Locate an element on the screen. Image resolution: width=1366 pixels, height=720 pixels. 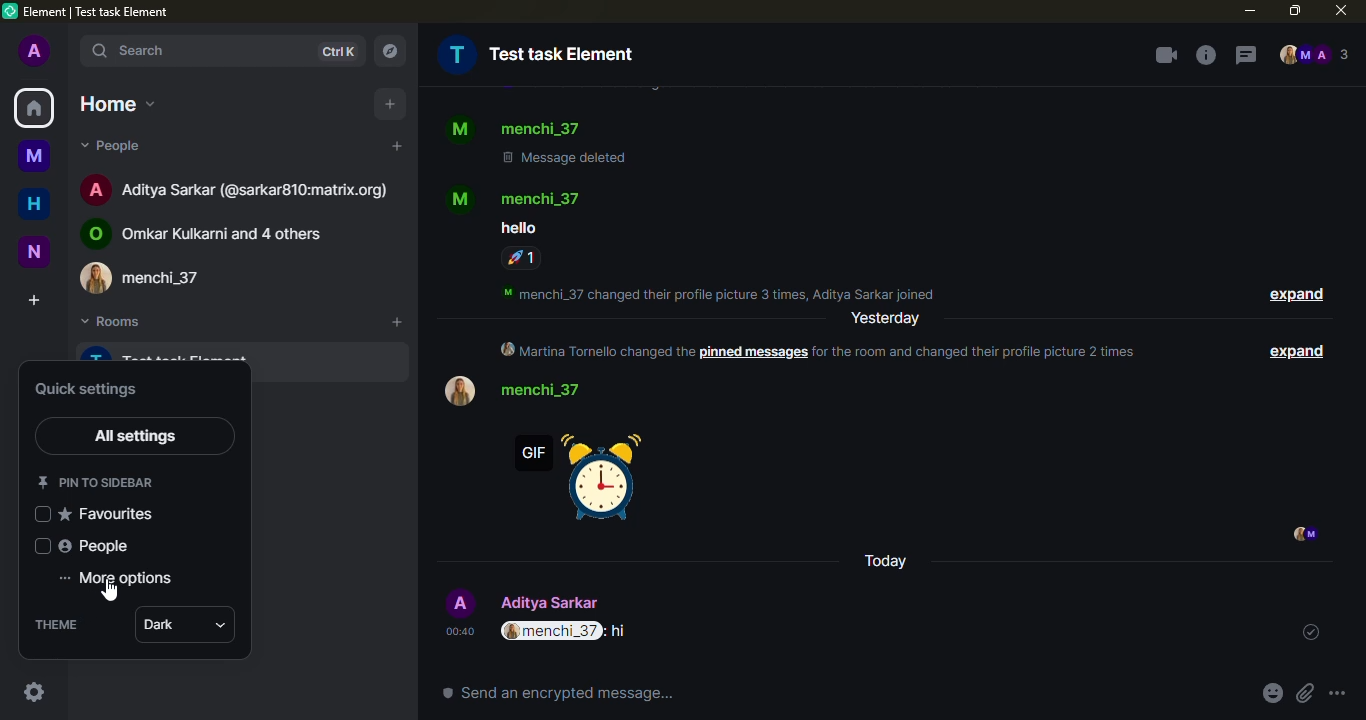
expand is located at coordinates (1296, 296).